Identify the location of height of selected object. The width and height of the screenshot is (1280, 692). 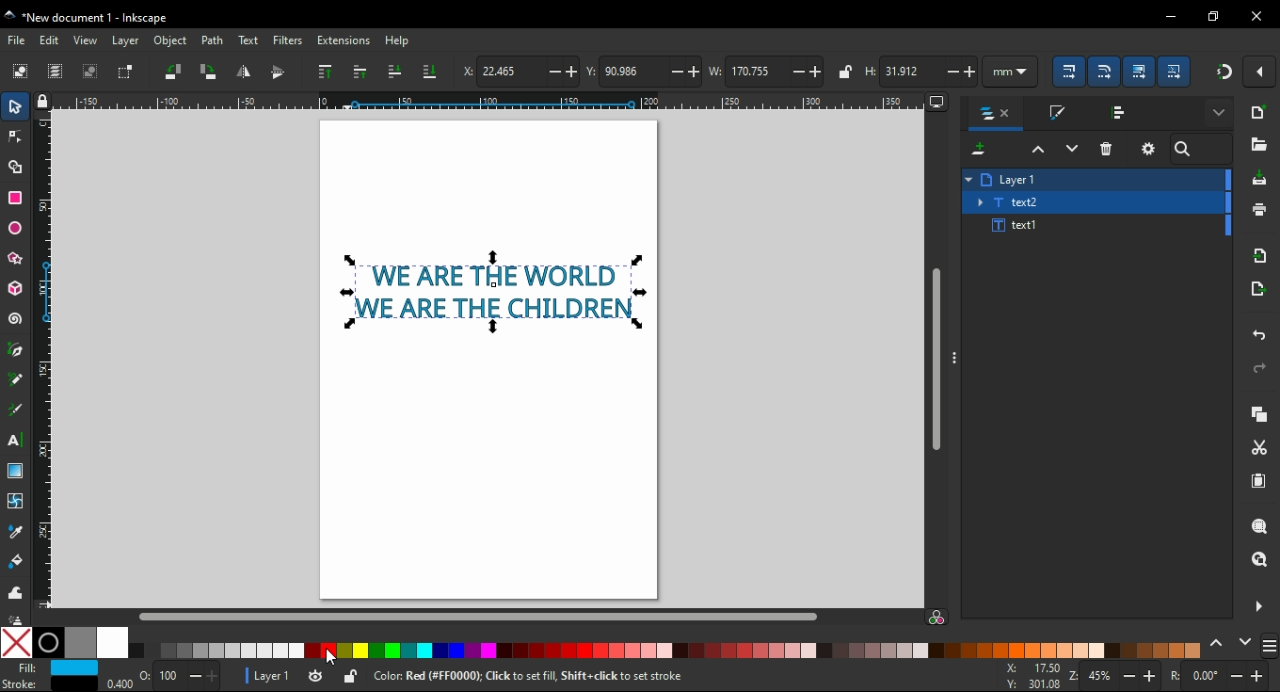
(919, 70).